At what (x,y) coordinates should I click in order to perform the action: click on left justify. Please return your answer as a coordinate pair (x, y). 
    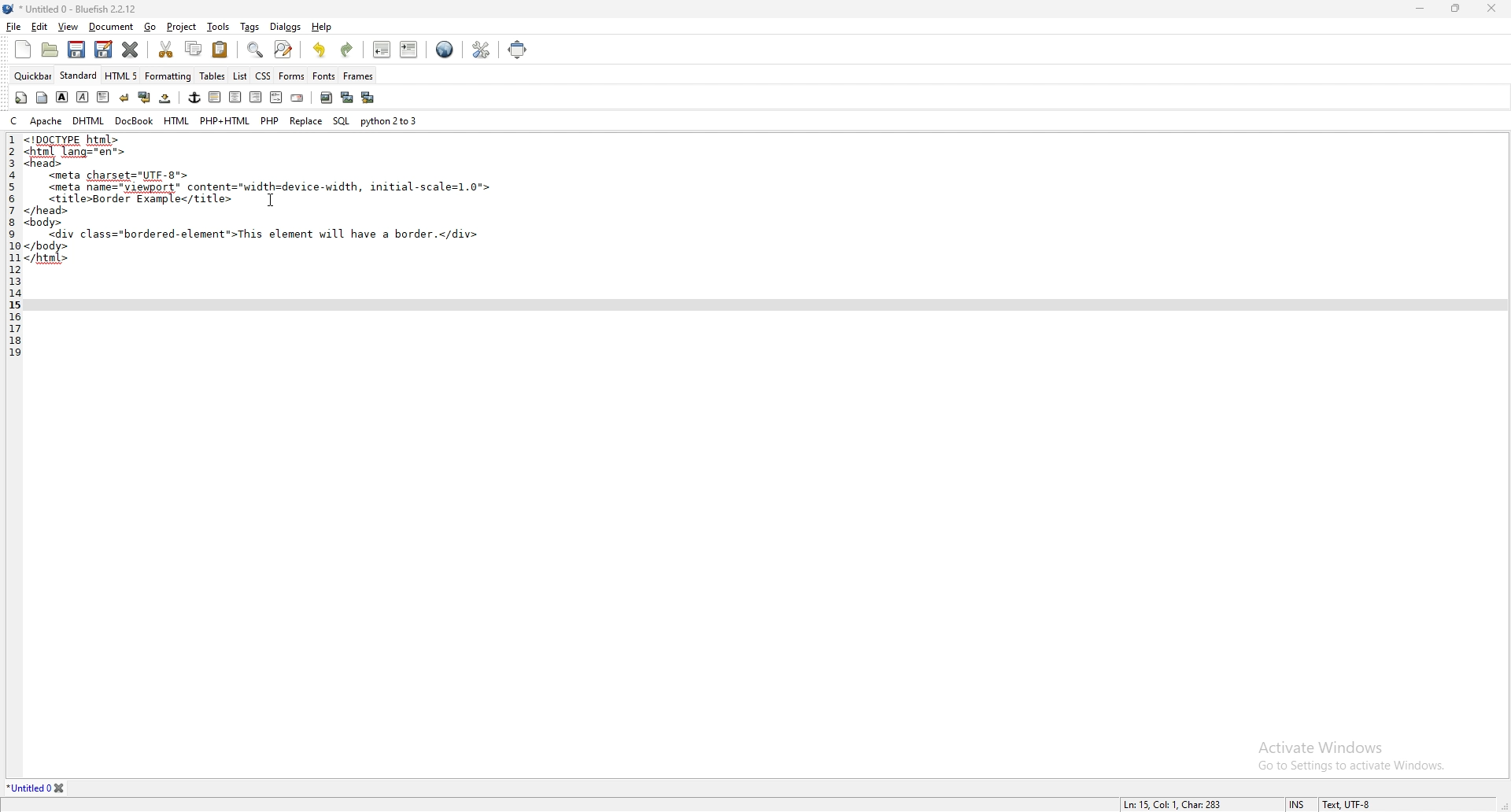
    Looking at the image, I should click on (216, 97).